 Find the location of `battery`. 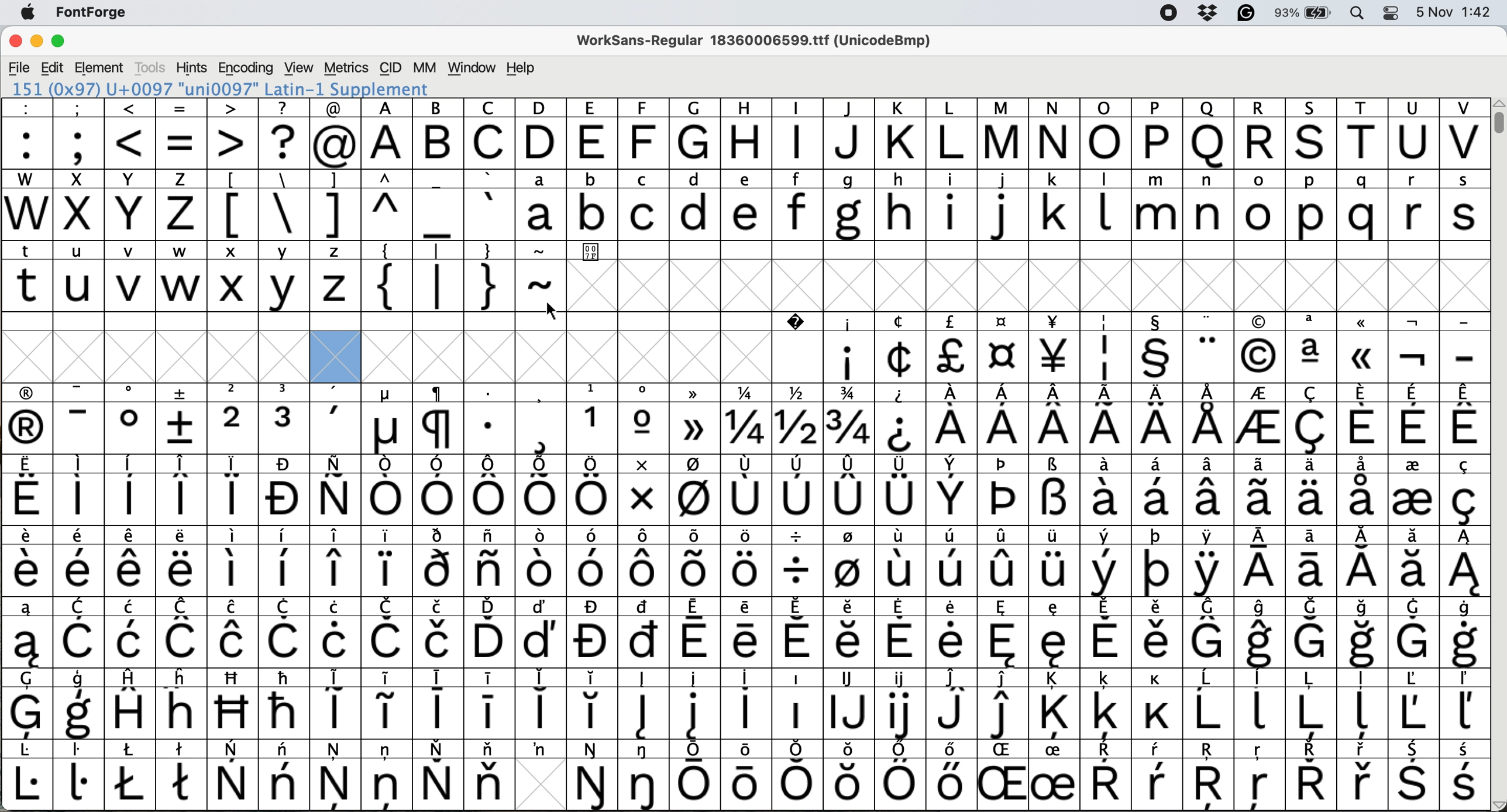

battery is located at coordinates (1308, 12).